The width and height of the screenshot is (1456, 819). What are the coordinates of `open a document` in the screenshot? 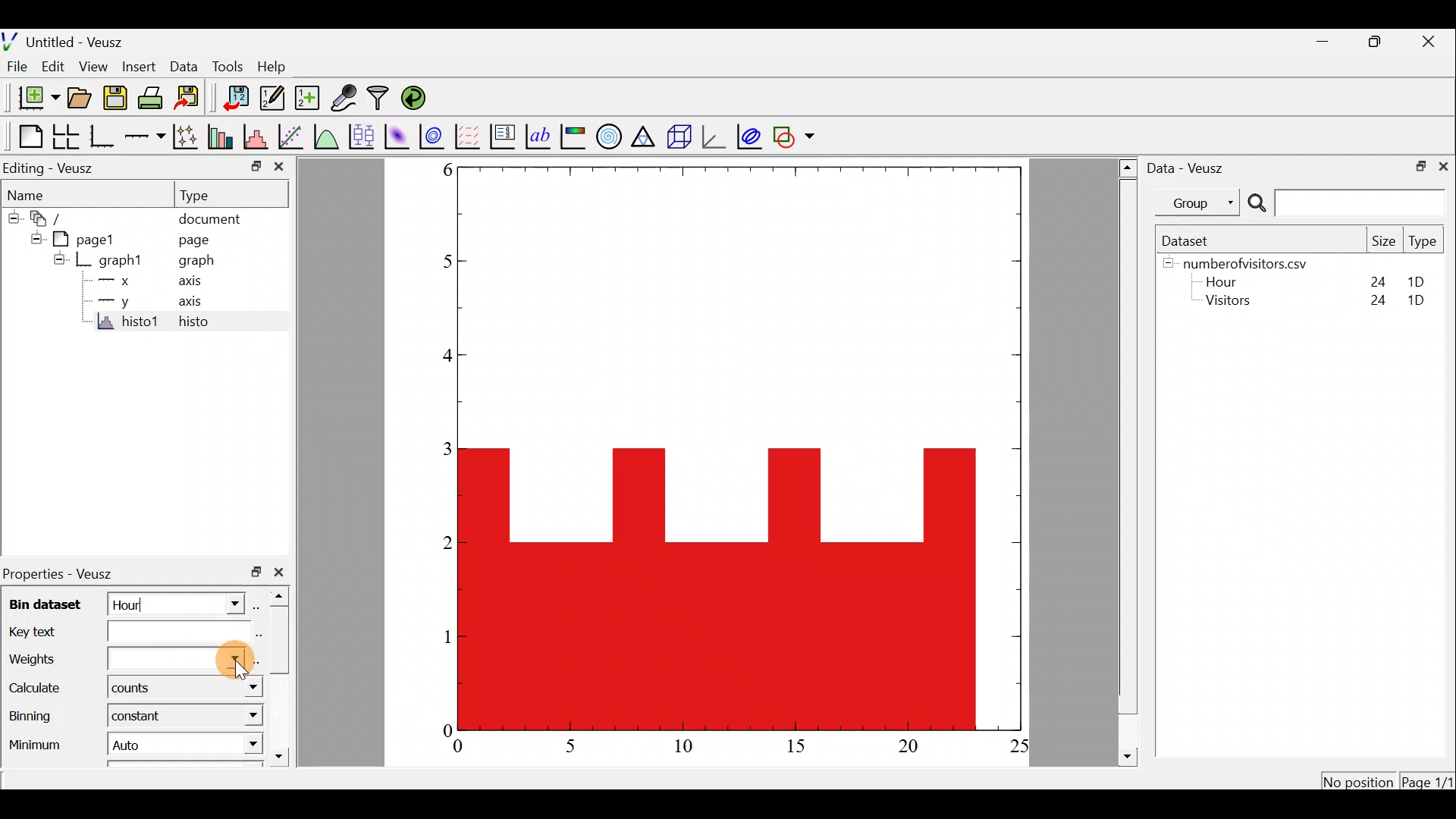 It's located at (78, 98).